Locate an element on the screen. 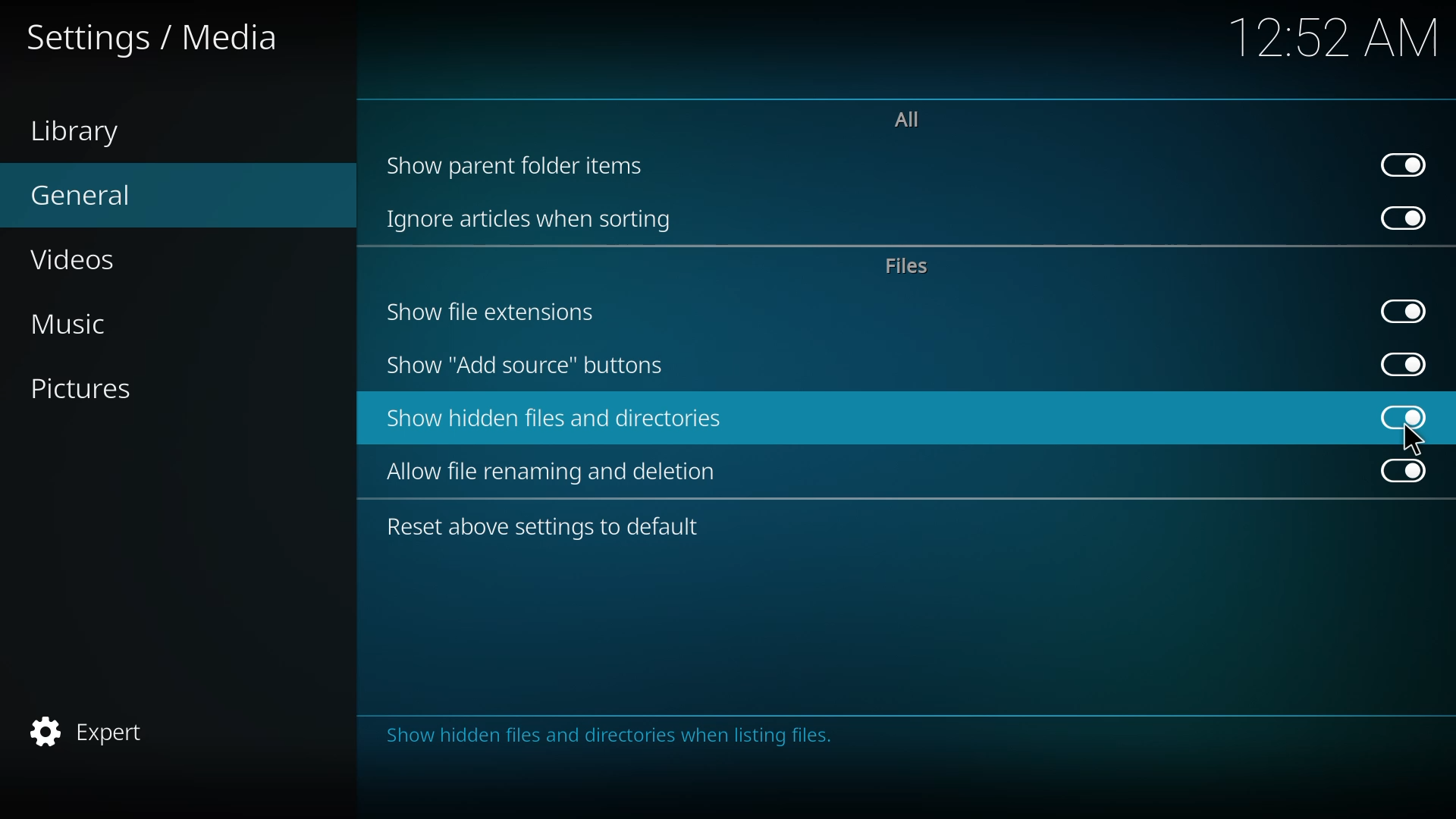 The image size is (1456, 819). settings /media is located at coordinates (153, 42).